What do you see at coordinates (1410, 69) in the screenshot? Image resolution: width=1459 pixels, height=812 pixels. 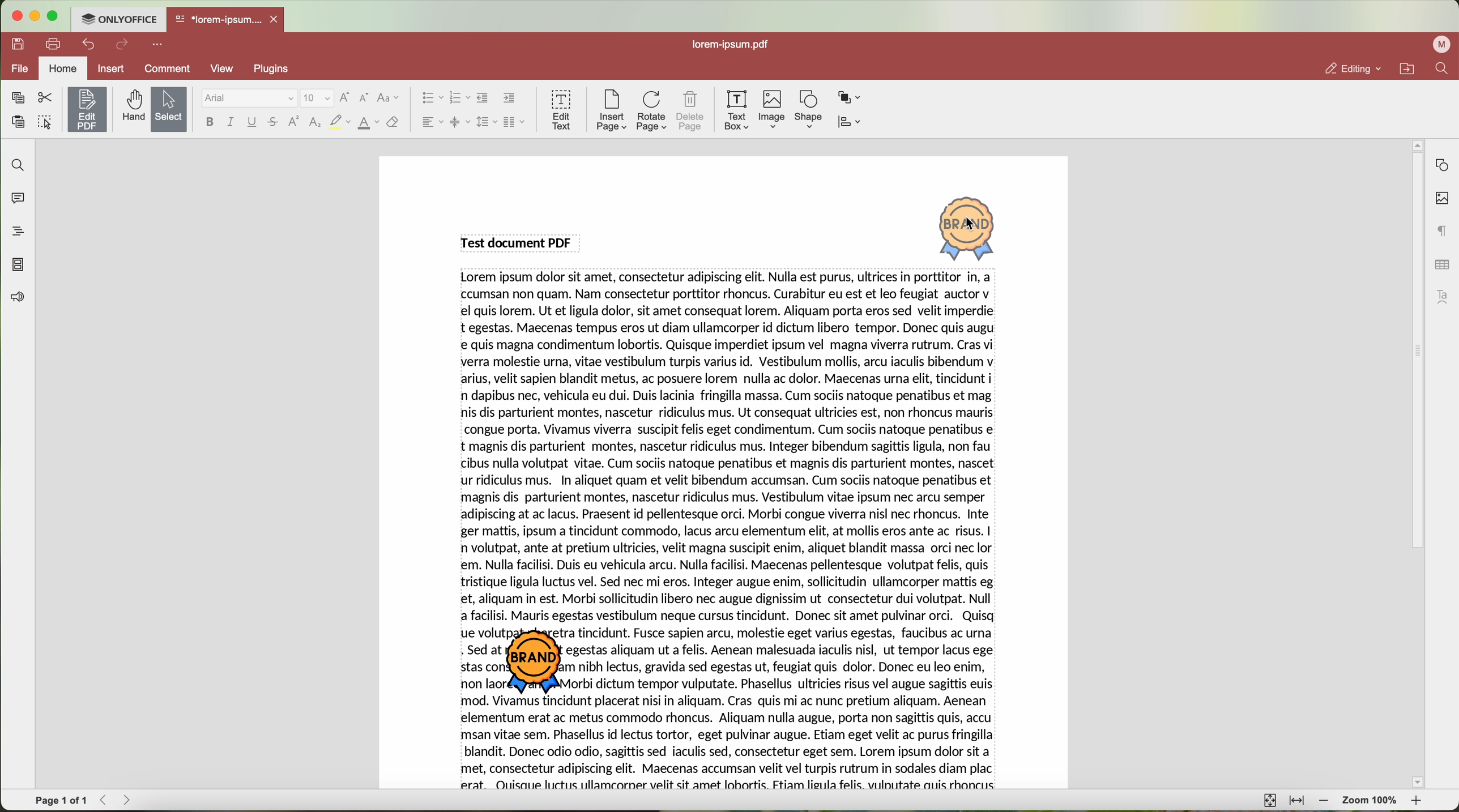 I see `open file location` at bounding box center [1410, 69].